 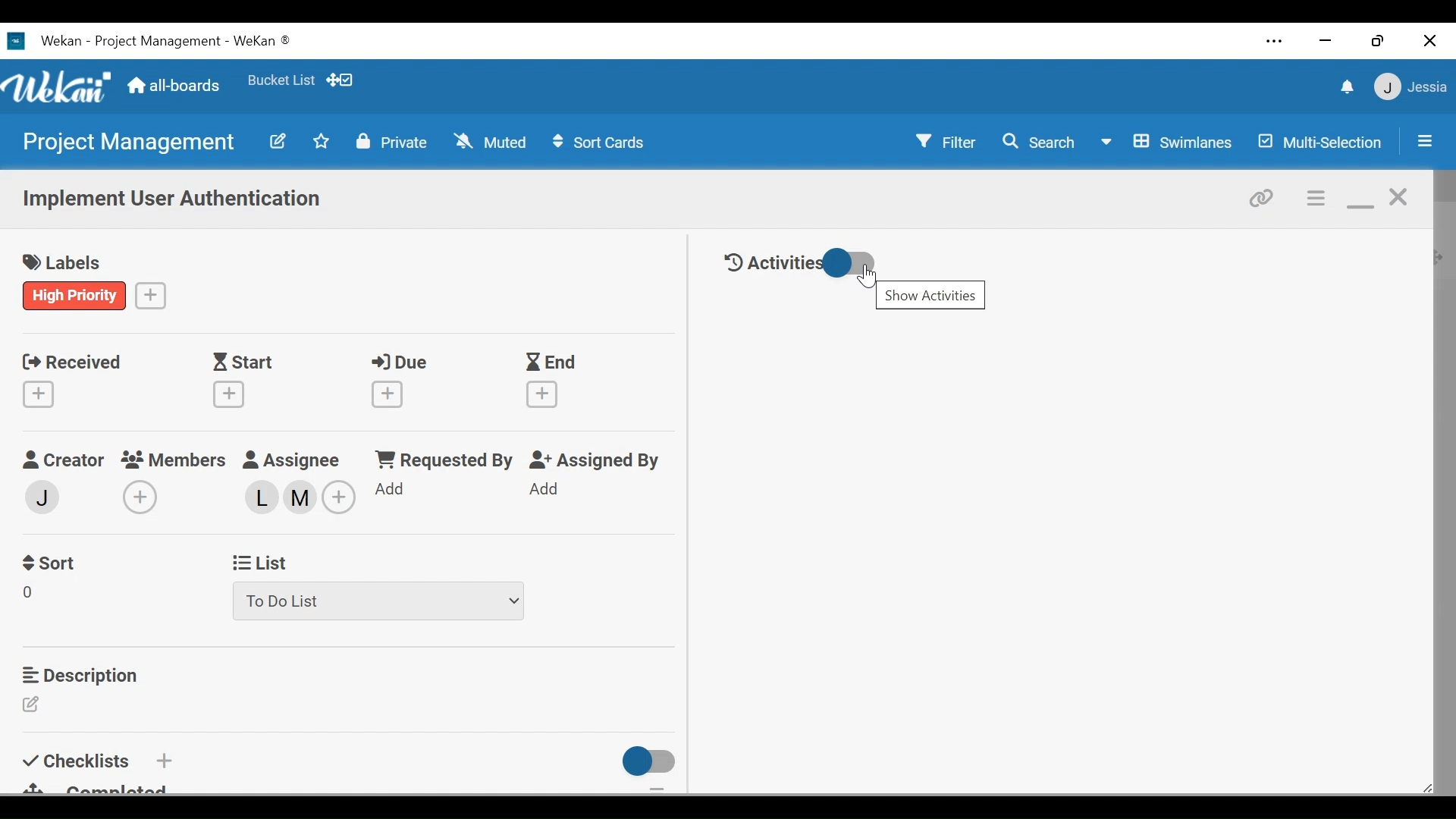 I want to click on Toggle favorites, so click(x=321, y=140).